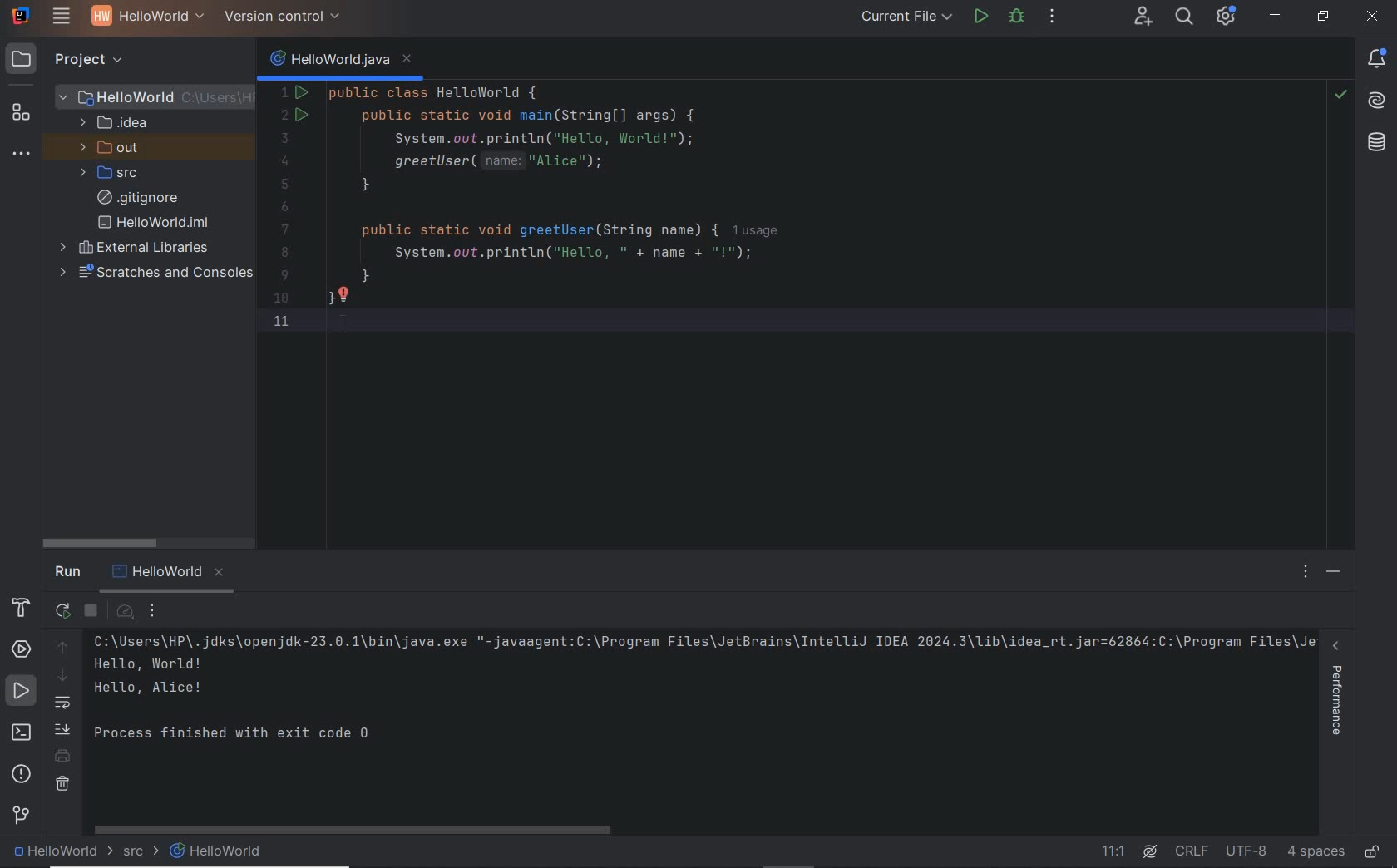  I want to click on out (folder), so click(111, 149).